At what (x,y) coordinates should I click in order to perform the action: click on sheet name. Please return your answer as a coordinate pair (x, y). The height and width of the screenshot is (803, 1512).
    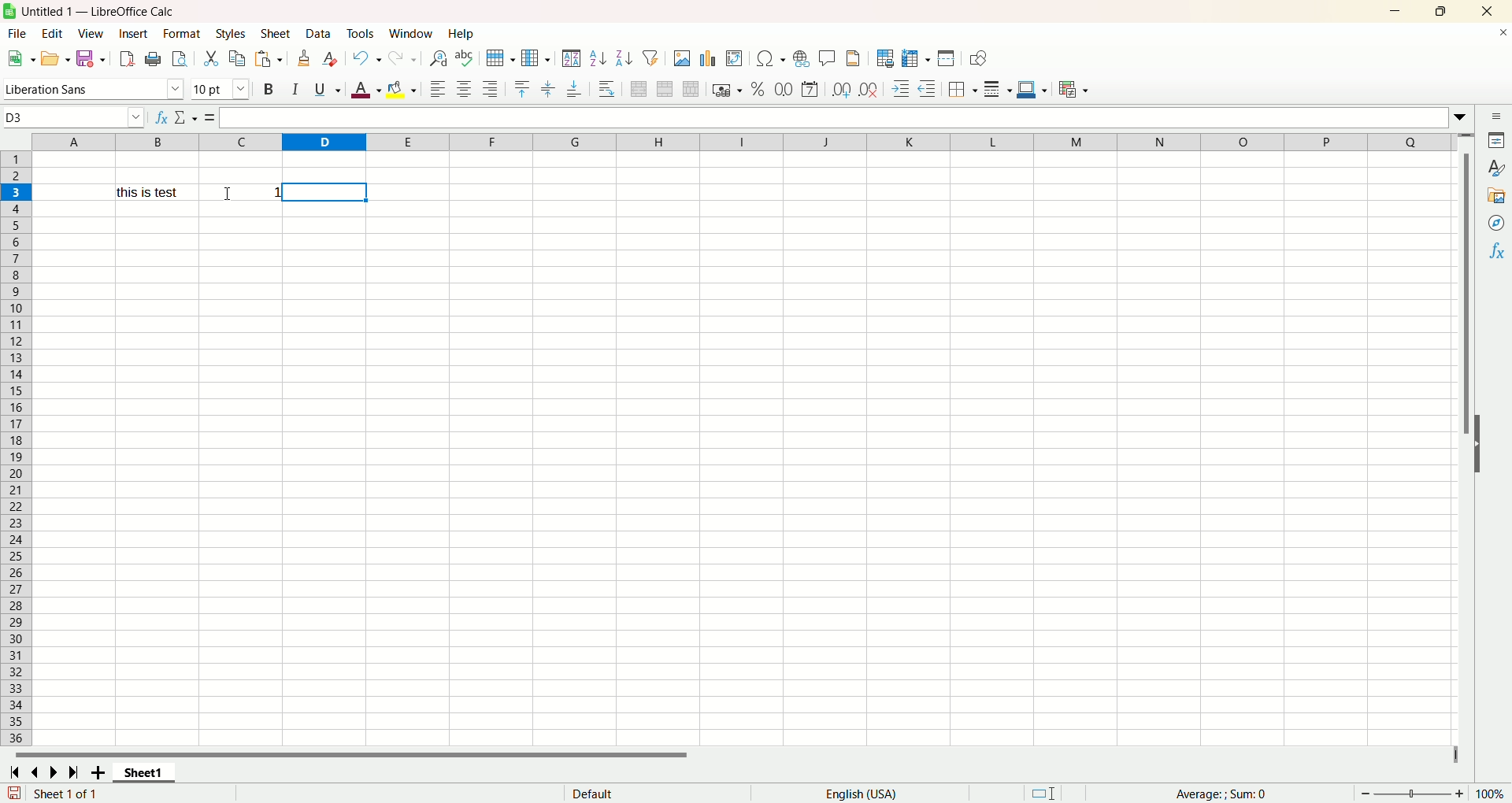
    Looking at the image, I should click on (144, 773).